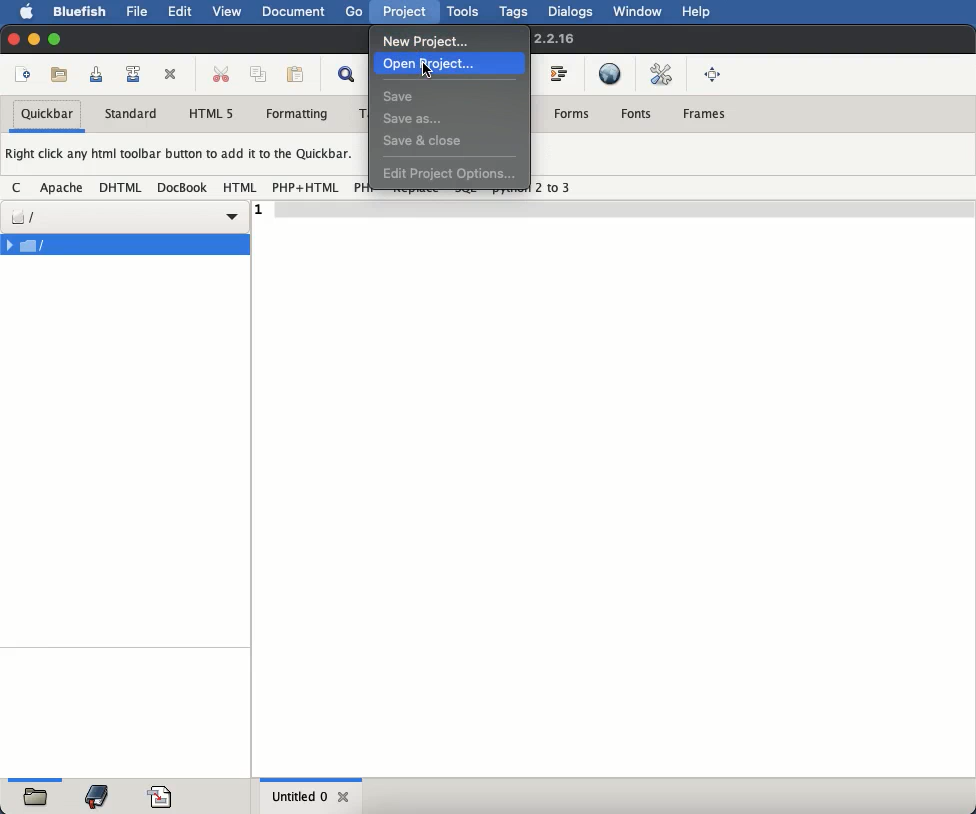 The image size is (976, 814). What do you see at coordinates (25, 75) in the screenshot?
I see `new file` at bounding box center [25, 75].